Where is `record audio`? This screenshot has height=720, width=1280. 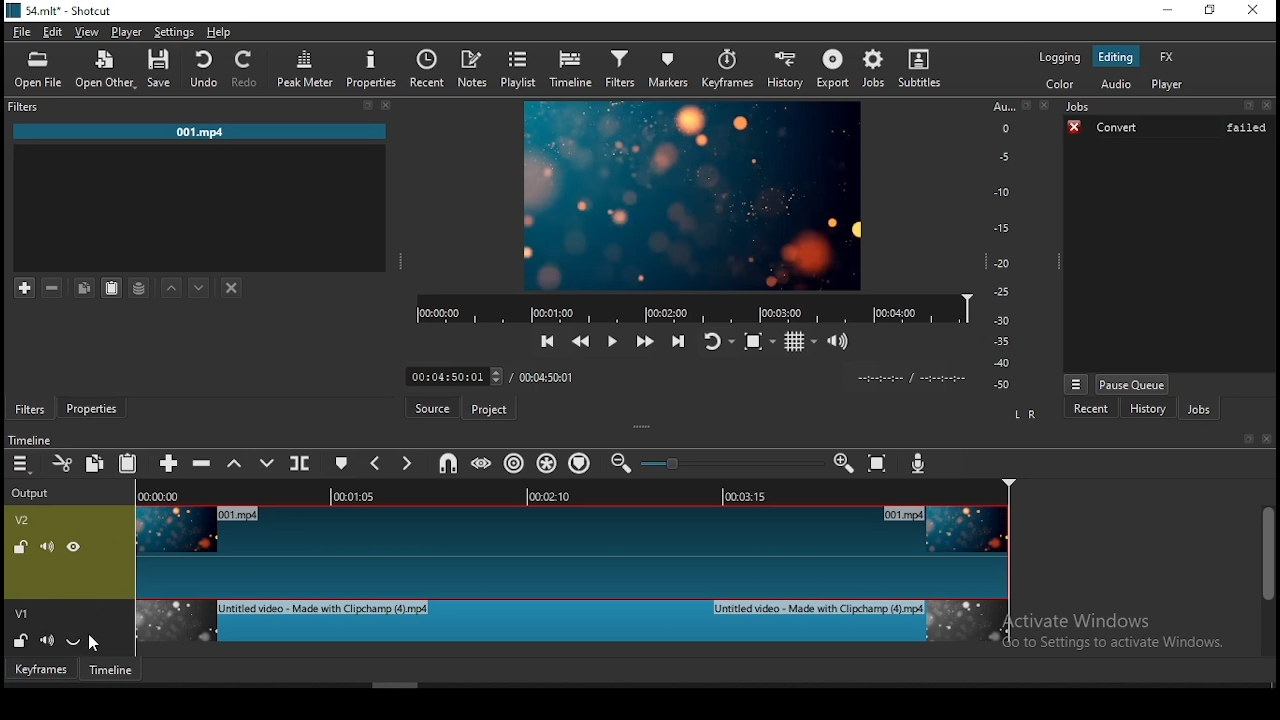
record audio is located at coordinates (918, 461).